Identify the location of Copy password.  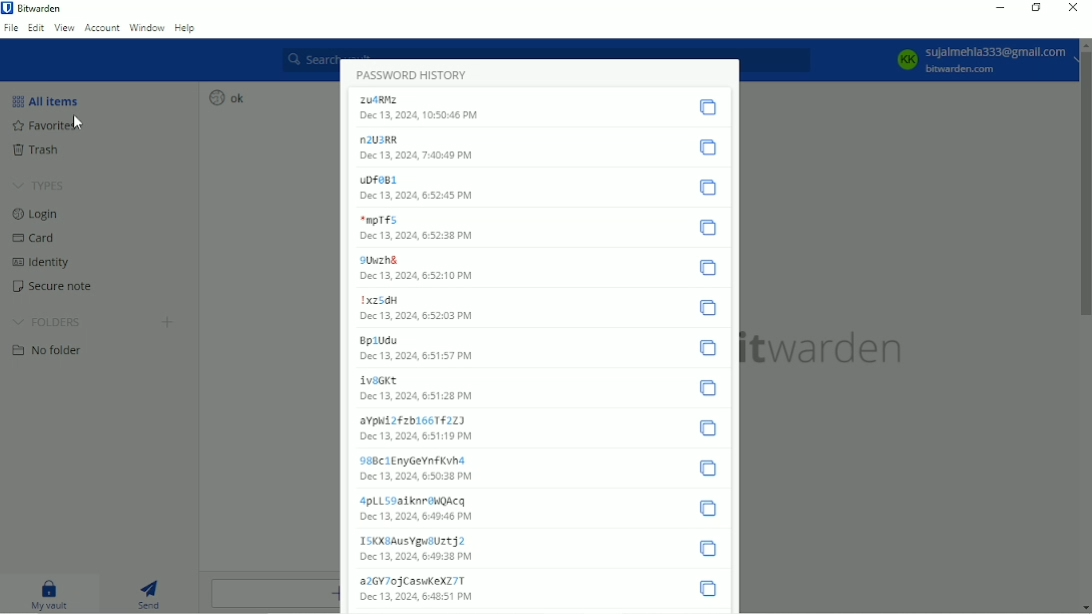
(708, 387).